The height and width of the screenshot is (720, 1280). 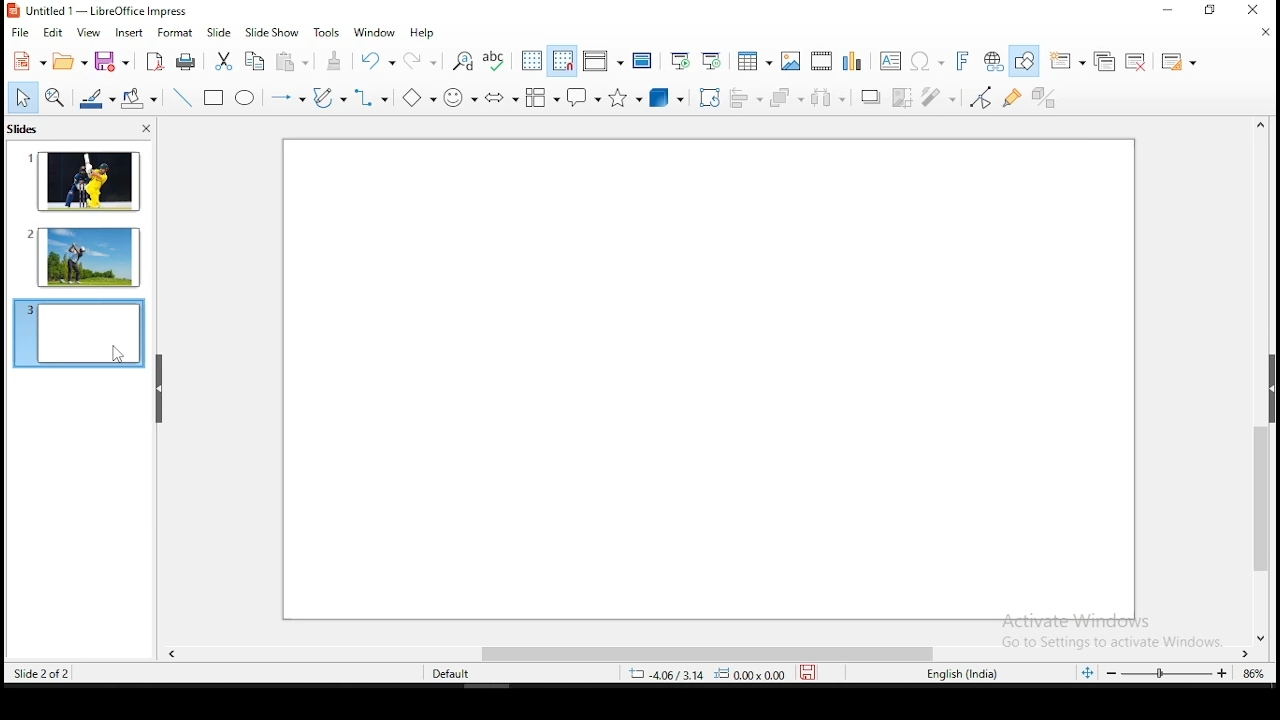 I want to click on icon , so click(x=12, y=10).